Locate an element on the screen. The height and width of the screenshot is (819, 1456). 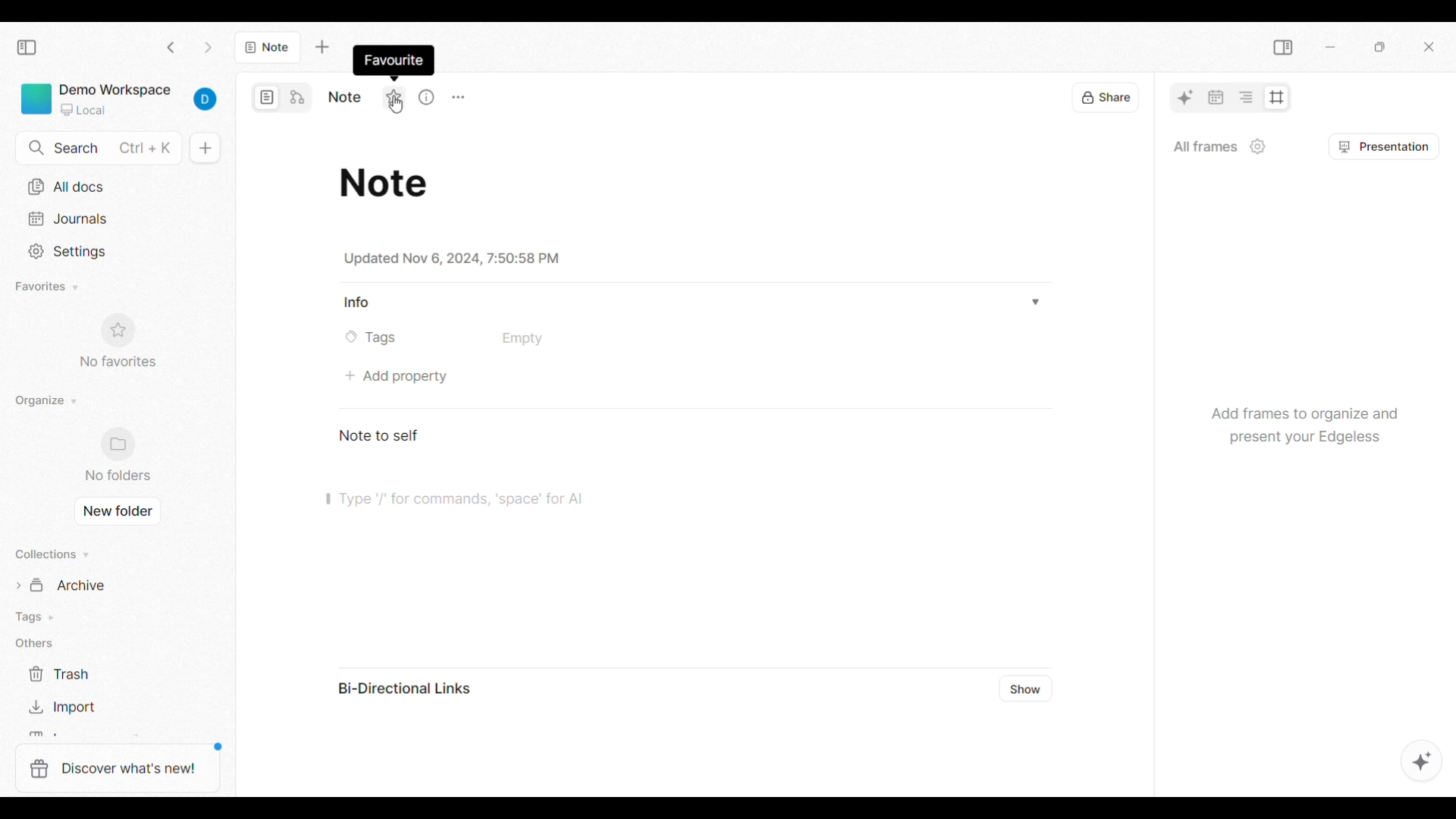
Tags folder is located at coordinates (97, 616).